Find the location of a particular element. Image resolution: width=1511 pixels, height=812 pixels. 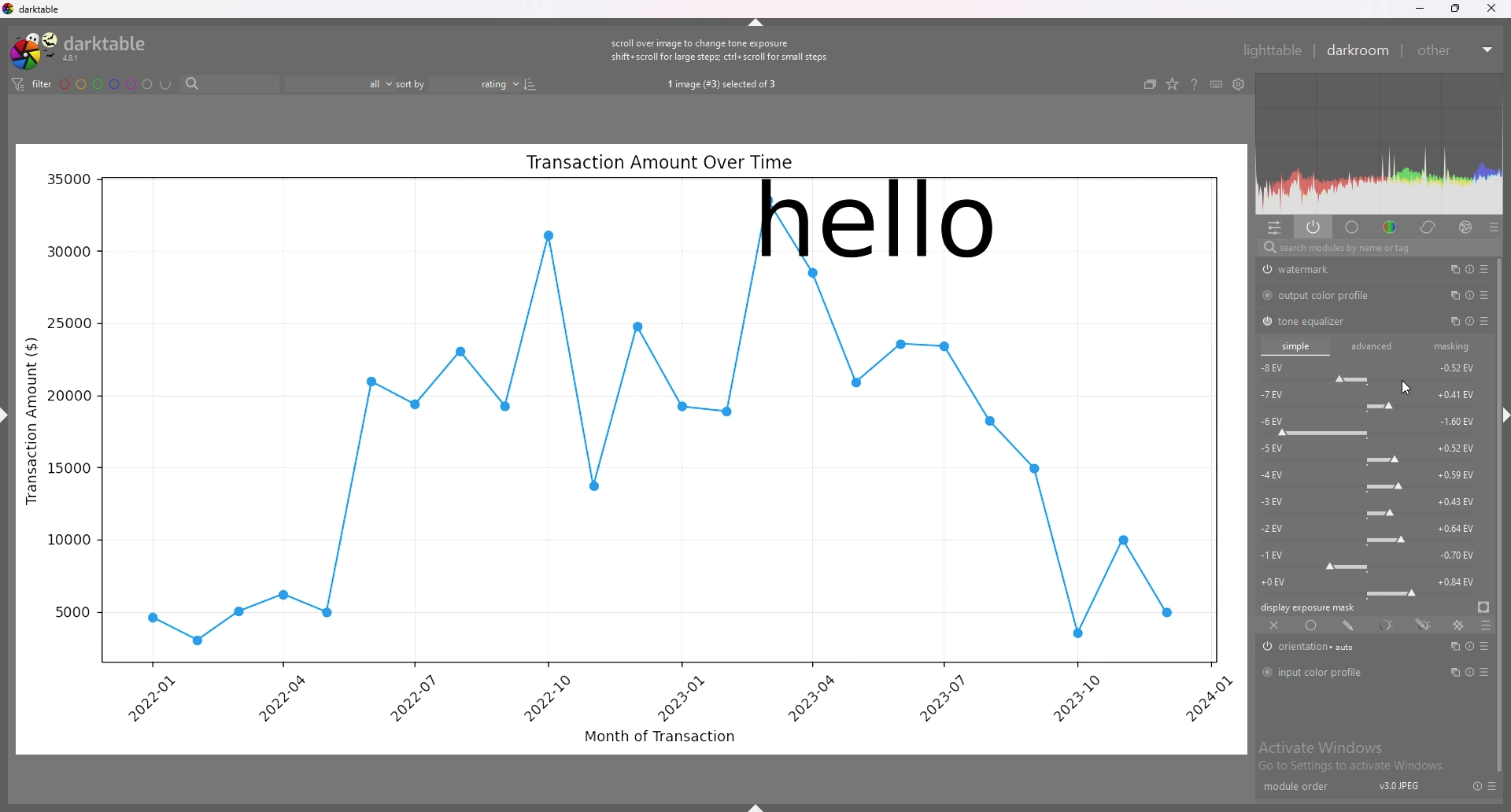

hide sidebar is located at coordinates (1506, 417).